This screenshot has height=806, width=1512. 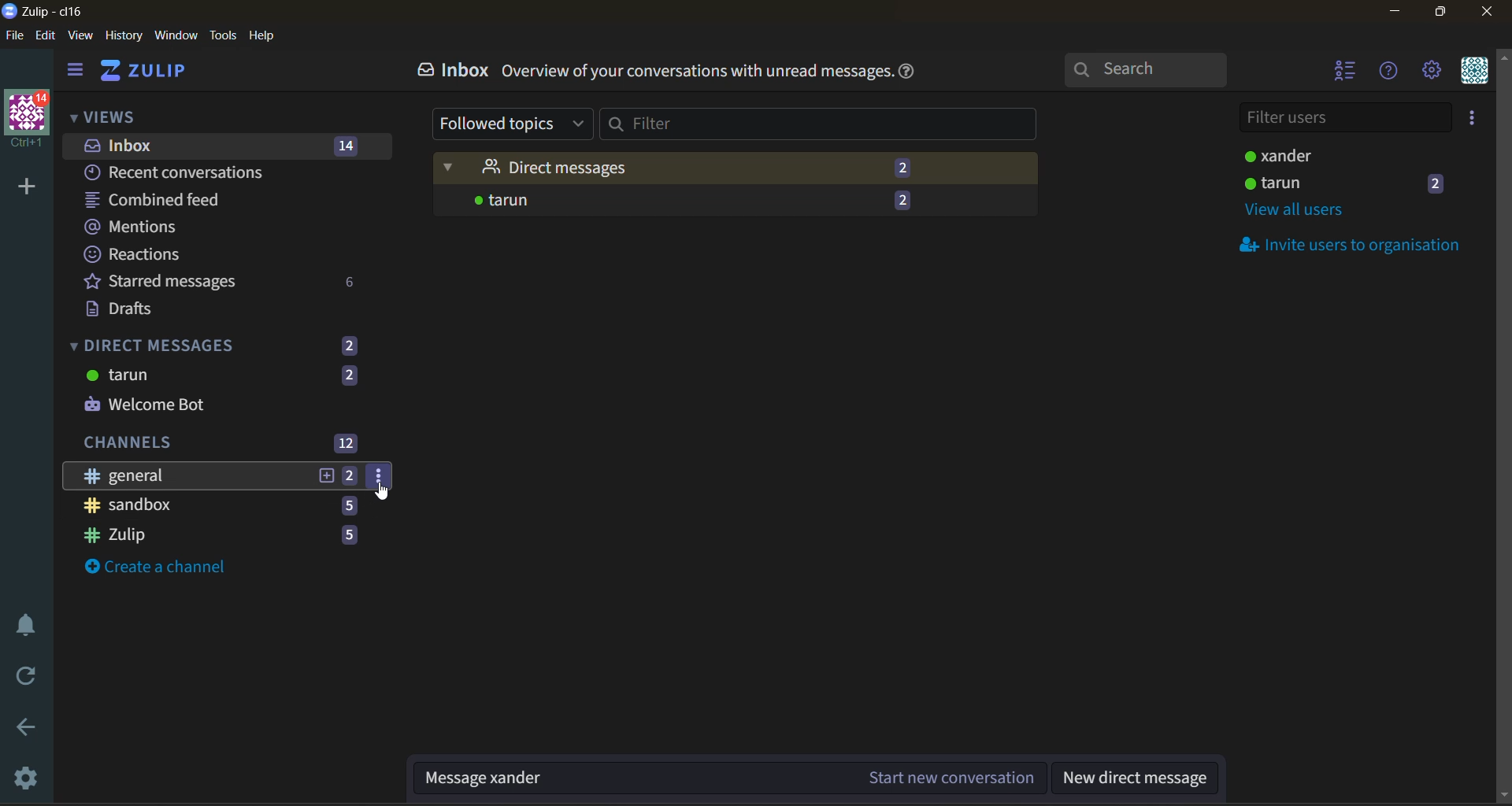 I want to click on file, so click(x=16, y=35).